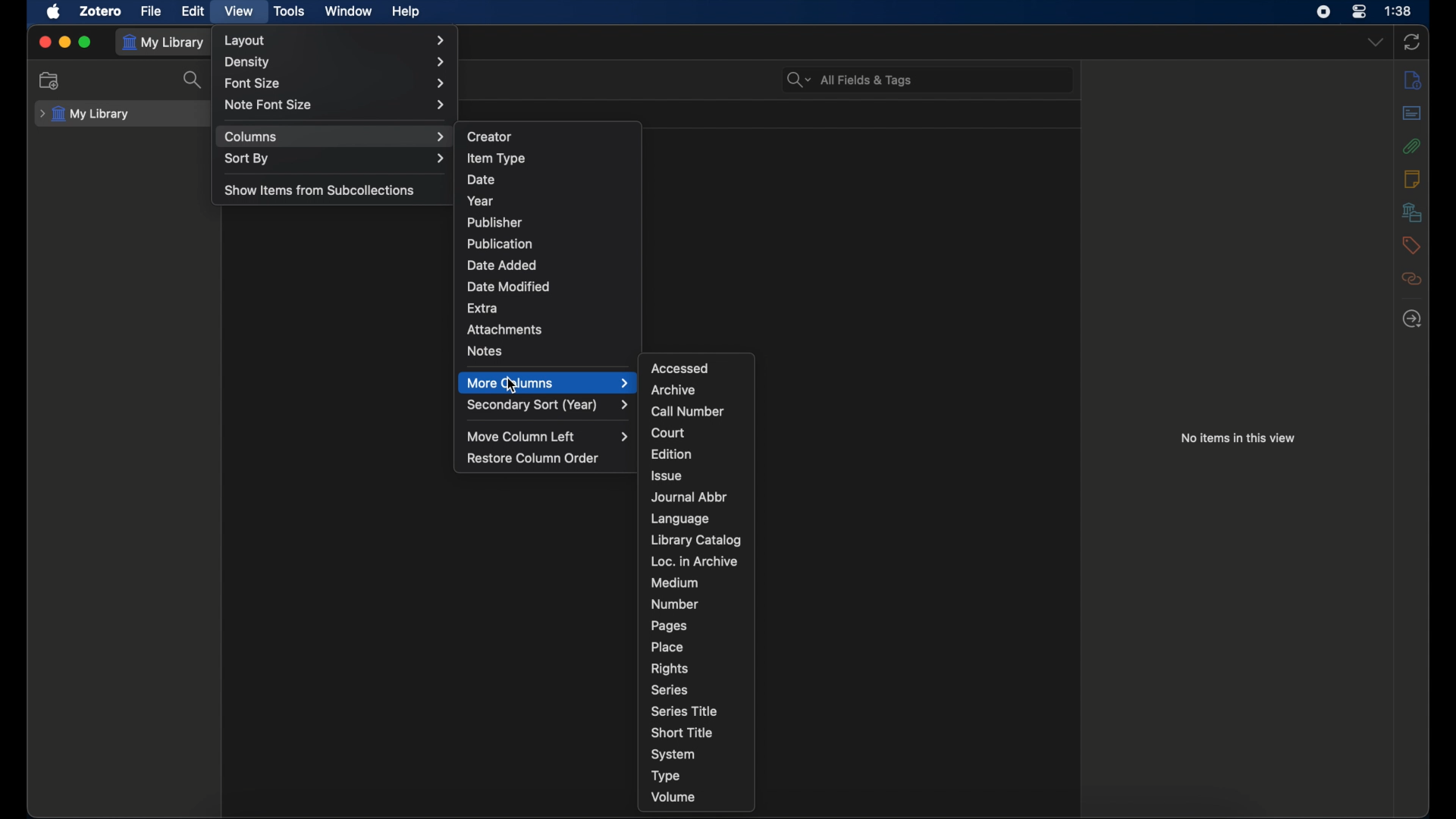 The height and width of the screenshot is (819, 1456). I want to click on view, so click(238, 12).